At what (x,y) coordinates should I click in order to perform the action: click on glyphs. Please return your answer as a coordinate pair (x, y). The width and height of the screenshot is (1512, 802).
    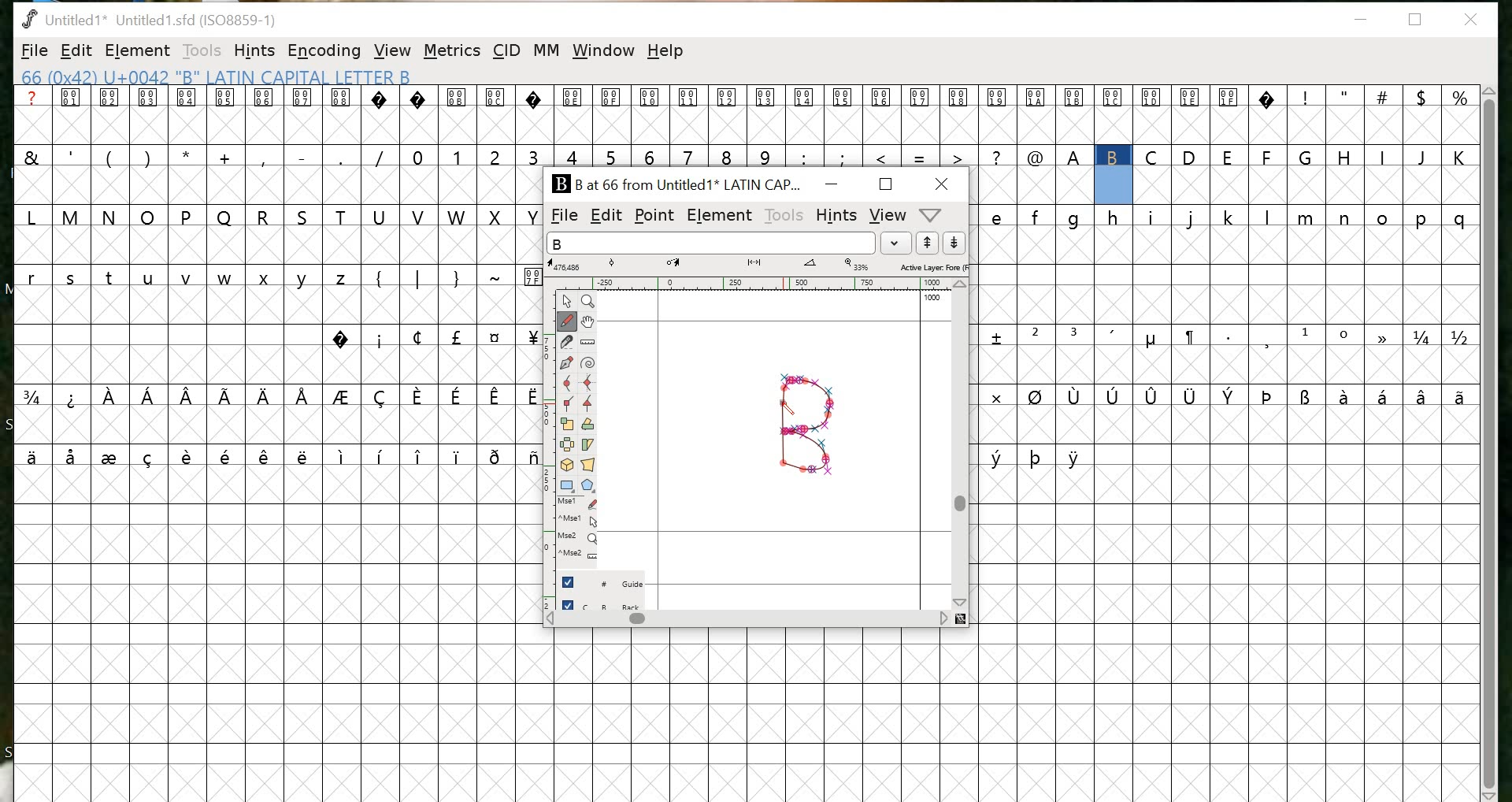
    Looking at the image, I should click on (1228, 341).